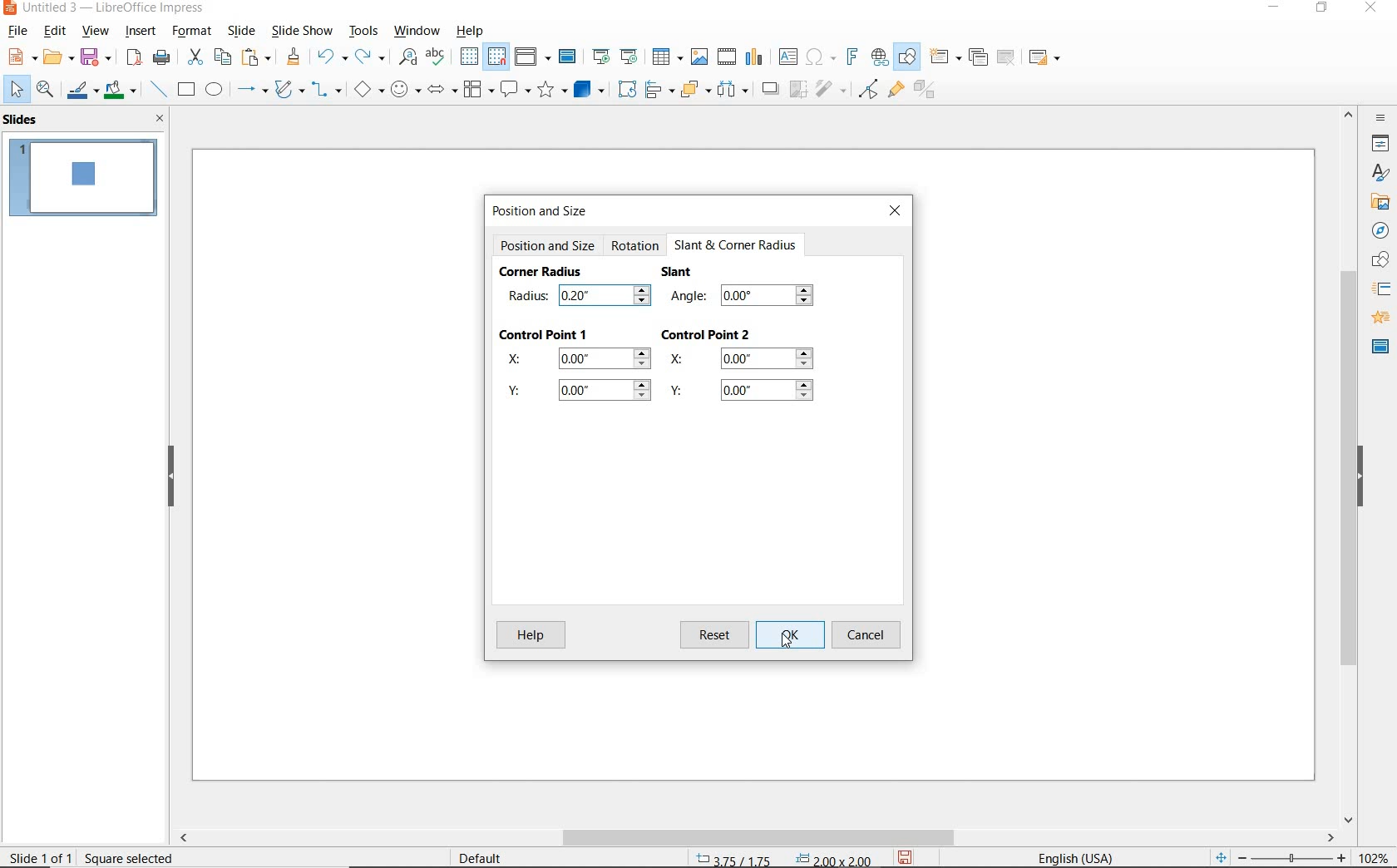  Describe the element at coordinates (1381, 119) in the screenshot. I see `sidebar settings` at that location.